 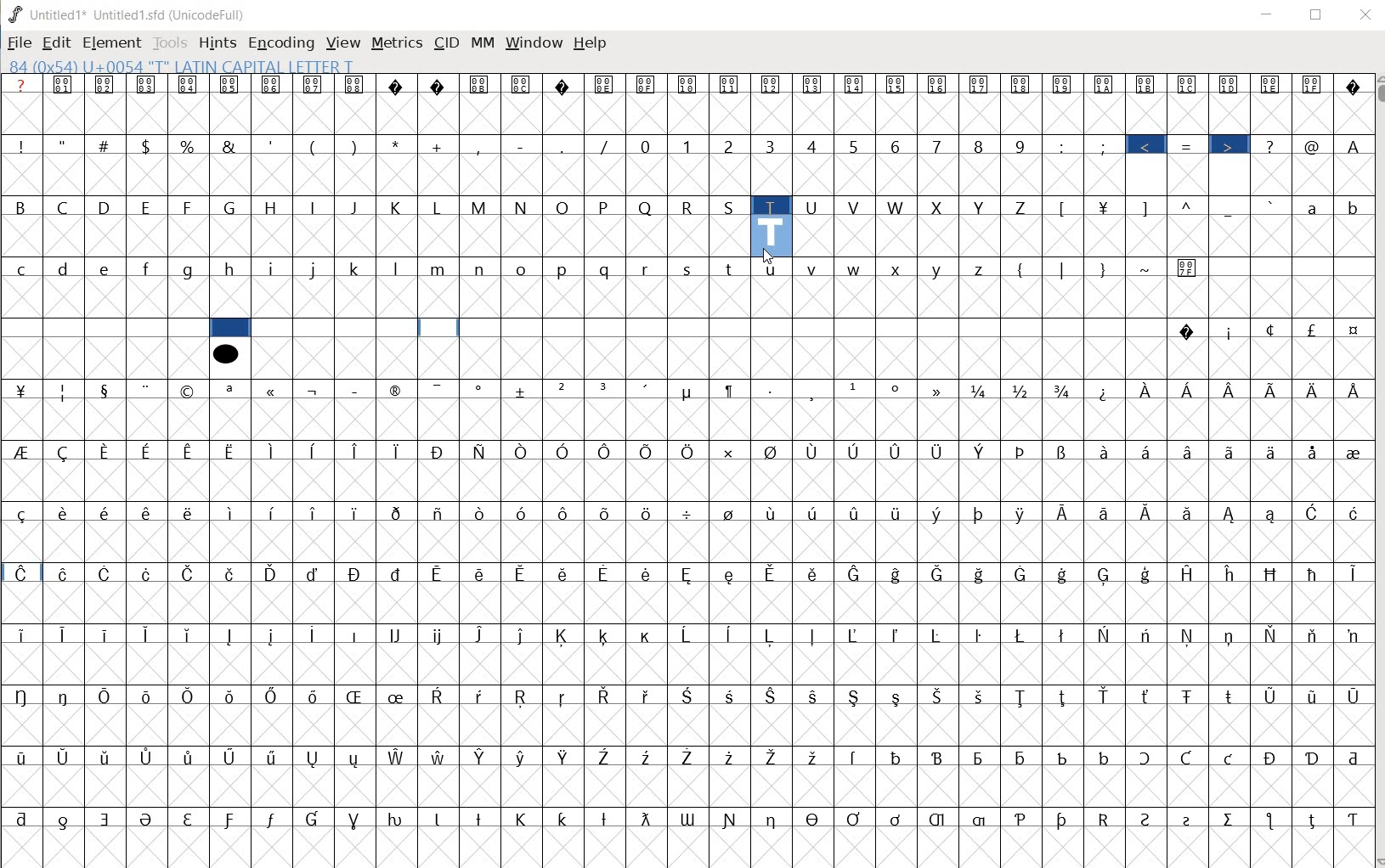 What do you see at coordinates (1149, 146) in the screenshot?
I see `<` at bounding box center [1149, 146].